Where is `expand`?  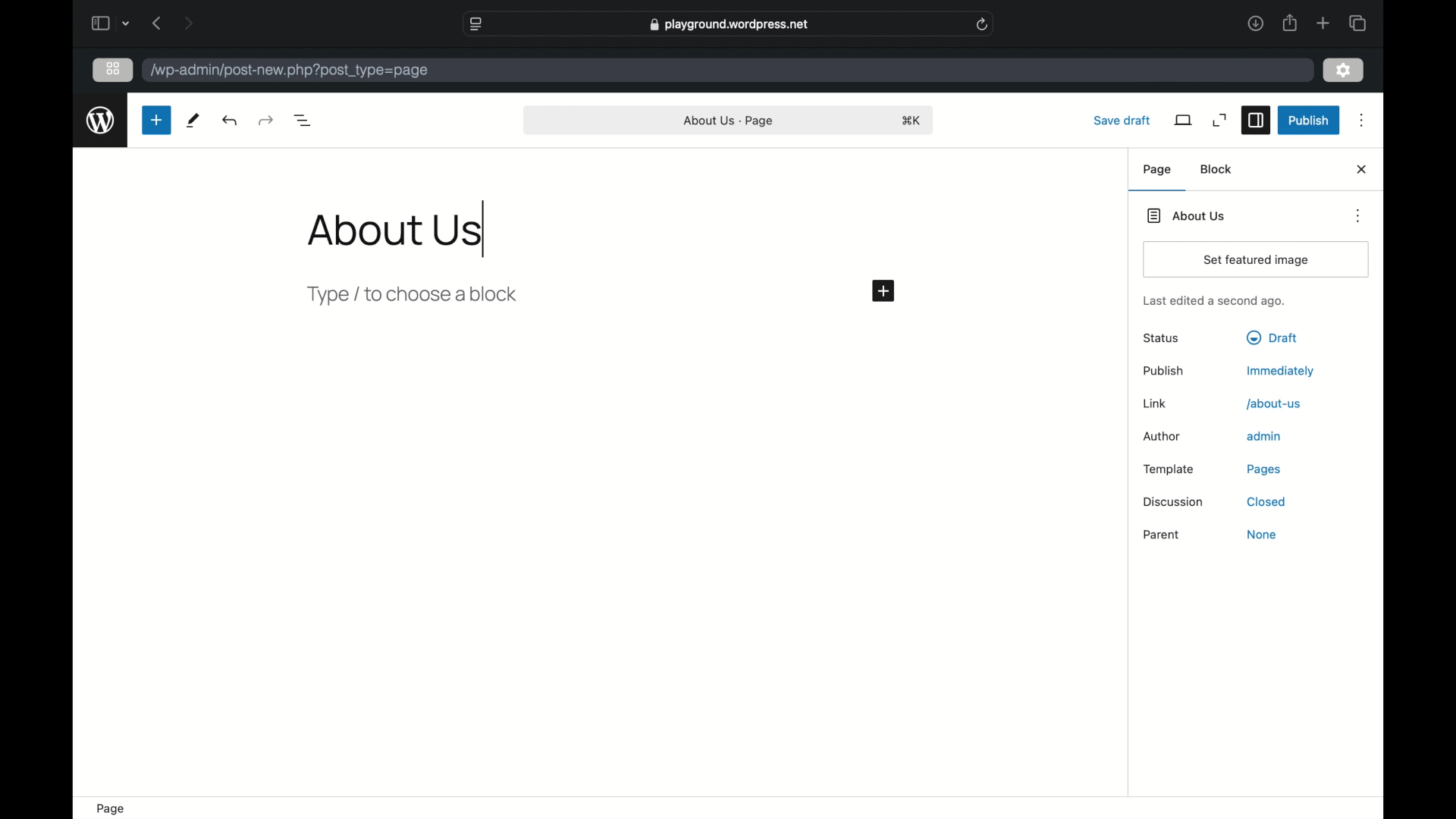
expand is located at coordinates (1221, 121).